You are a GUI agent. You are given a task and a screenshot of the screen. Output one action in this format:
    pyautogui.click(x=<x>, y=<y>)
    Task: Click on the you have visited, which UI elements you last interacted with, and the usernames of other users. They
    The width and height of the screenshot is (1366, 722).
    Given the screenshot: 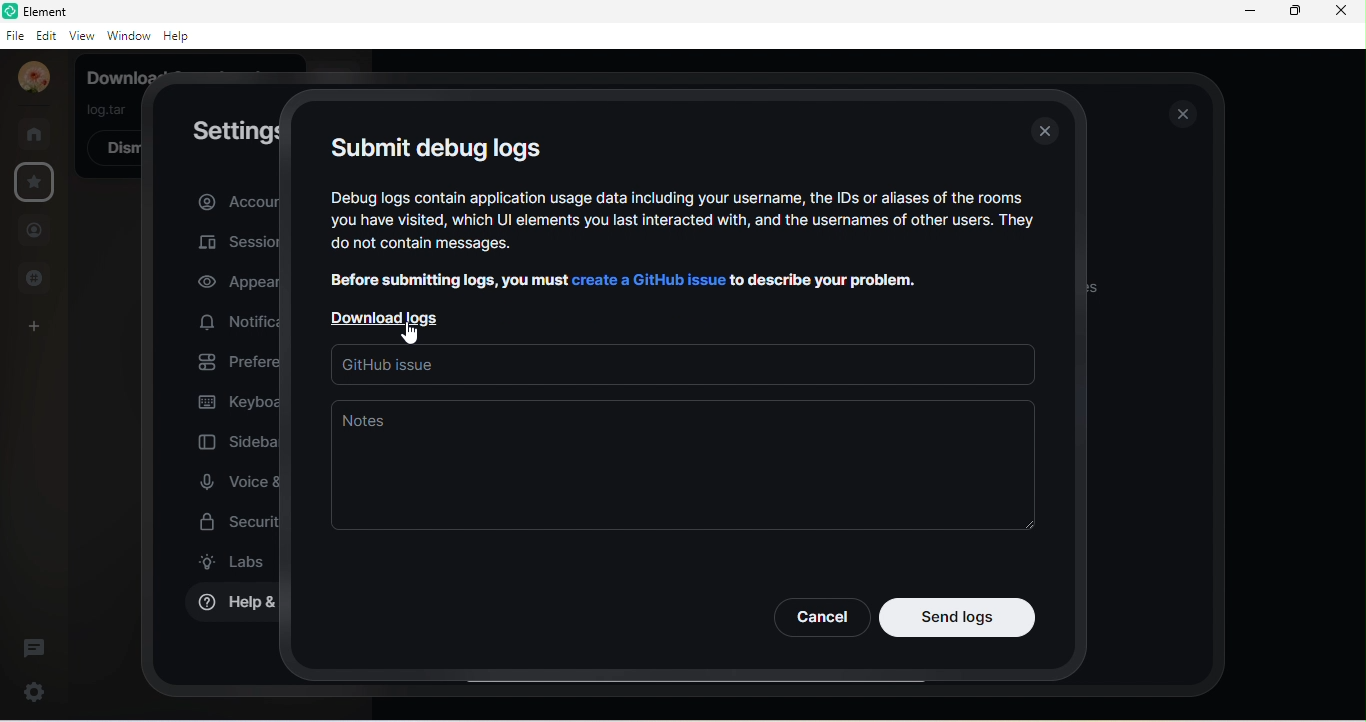 What is the action you would take?
    pyautogui.click(x=685, y=222)
    